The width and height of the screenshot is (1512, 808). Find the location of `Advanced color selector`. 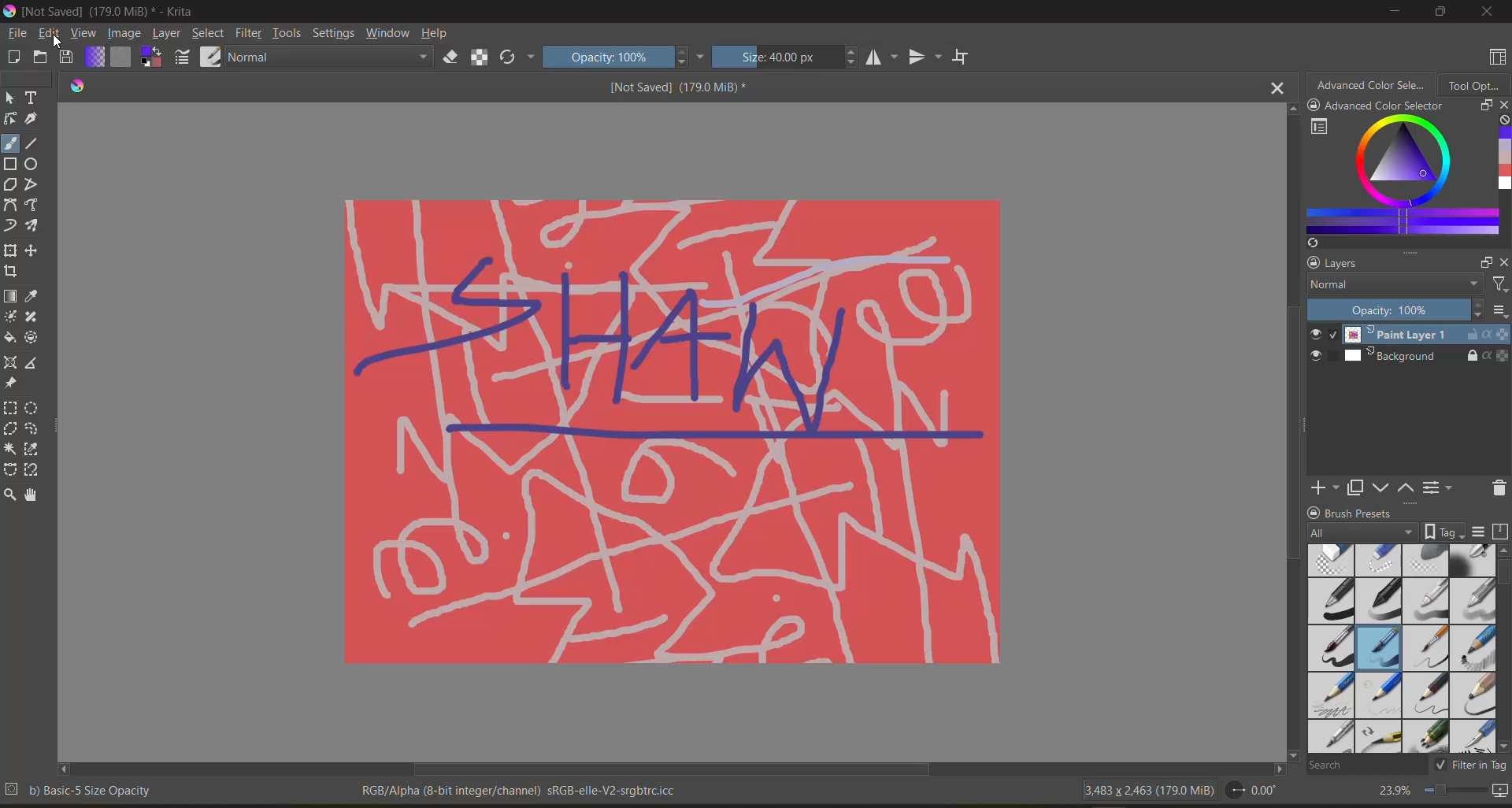

Advanced color selector is located at coordinates (1372, 84).